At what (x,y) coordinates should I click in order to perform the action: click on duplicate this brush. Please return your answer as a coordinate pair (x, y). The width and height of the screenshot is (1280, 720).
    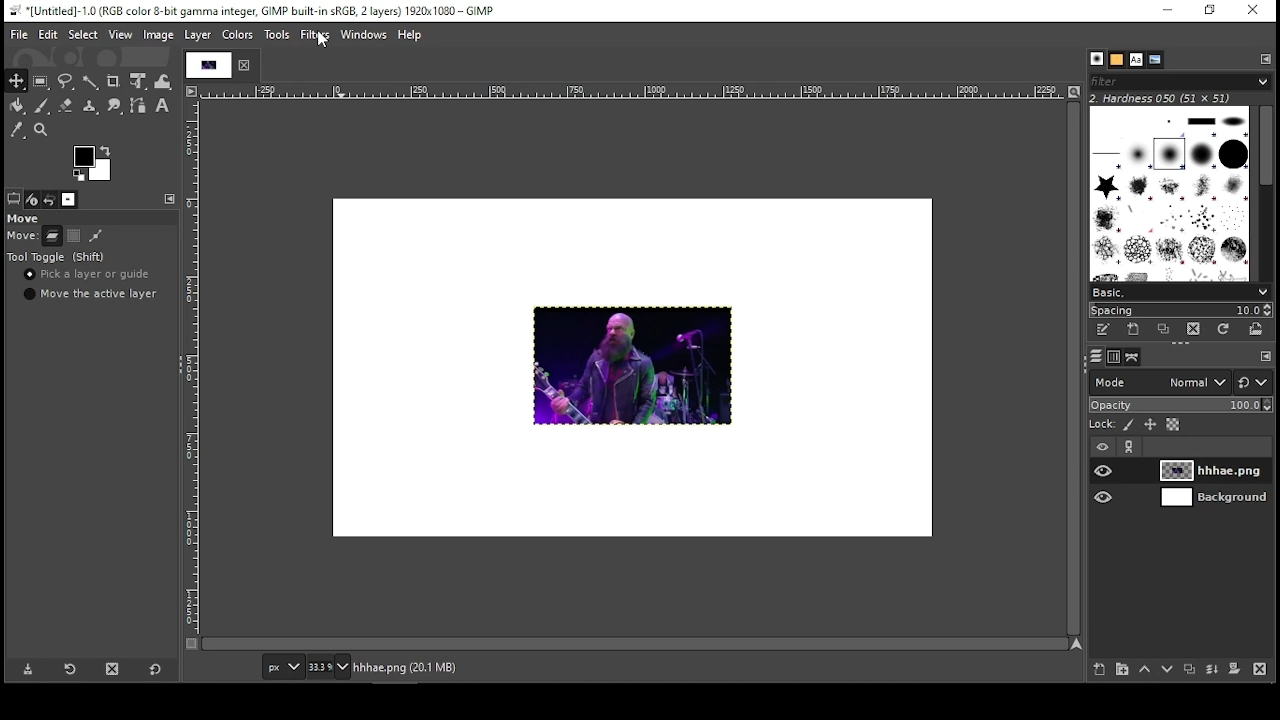
    Looking at the image, I should click on (1161, 330).